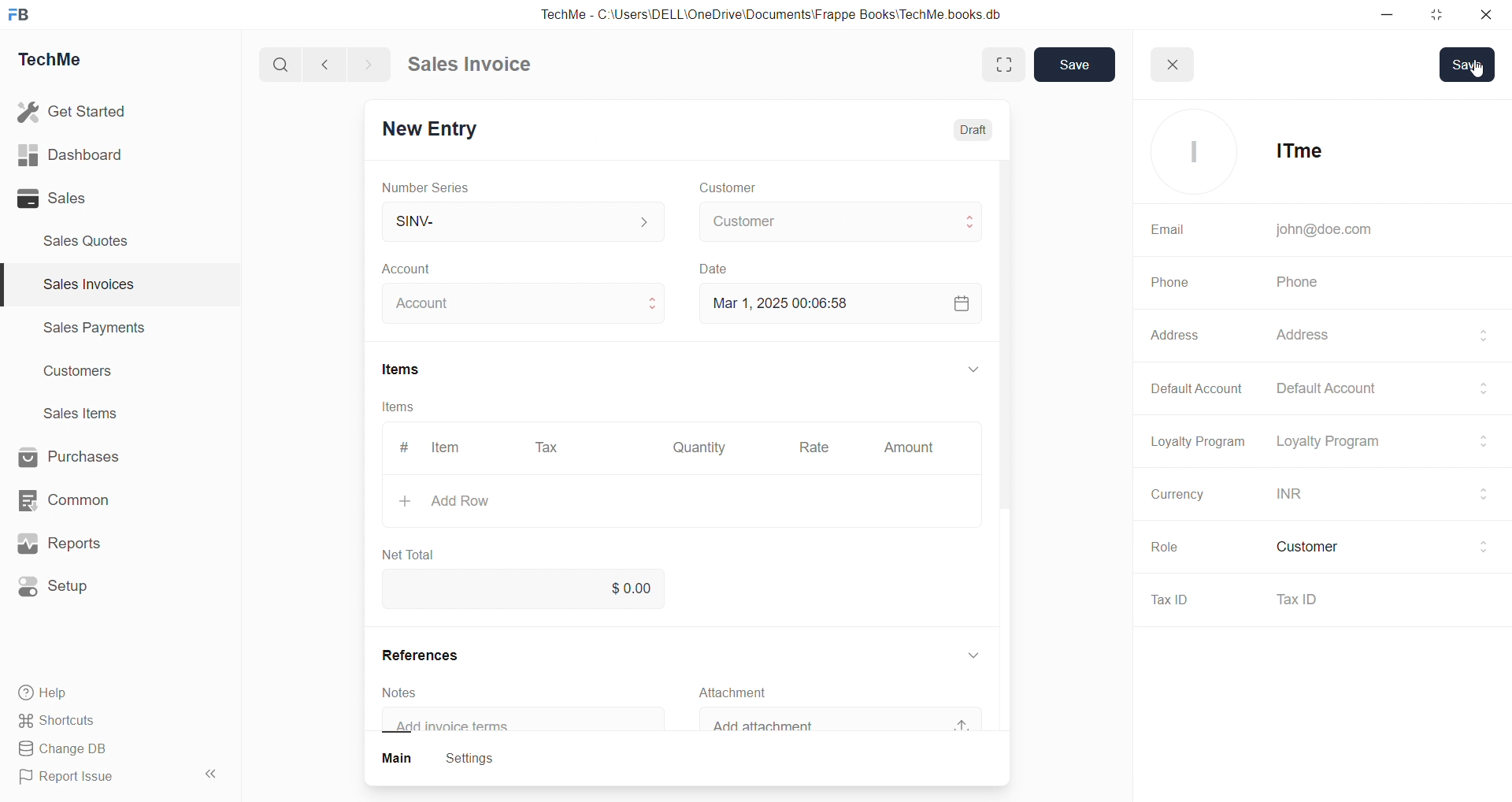 This screenshot has width=1512, height=802. Describe the element at coordinates (63, 722) in the screenshot. I see ` Shortcuts` at that location.